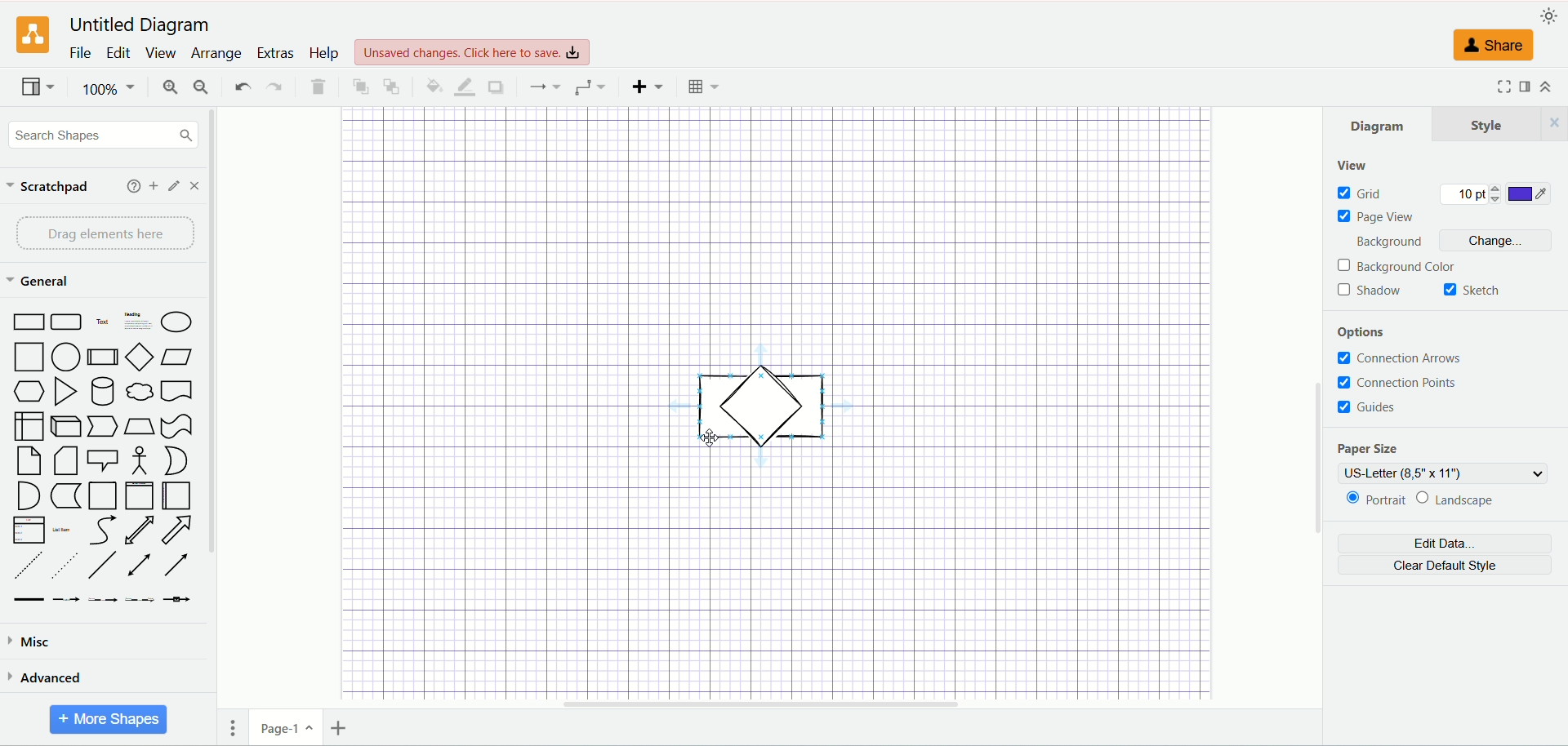 This screenshot has width=1568, height=746. Describe the element at coordinates (140, 393) in the screenshot. I see `Cloud` at that location.